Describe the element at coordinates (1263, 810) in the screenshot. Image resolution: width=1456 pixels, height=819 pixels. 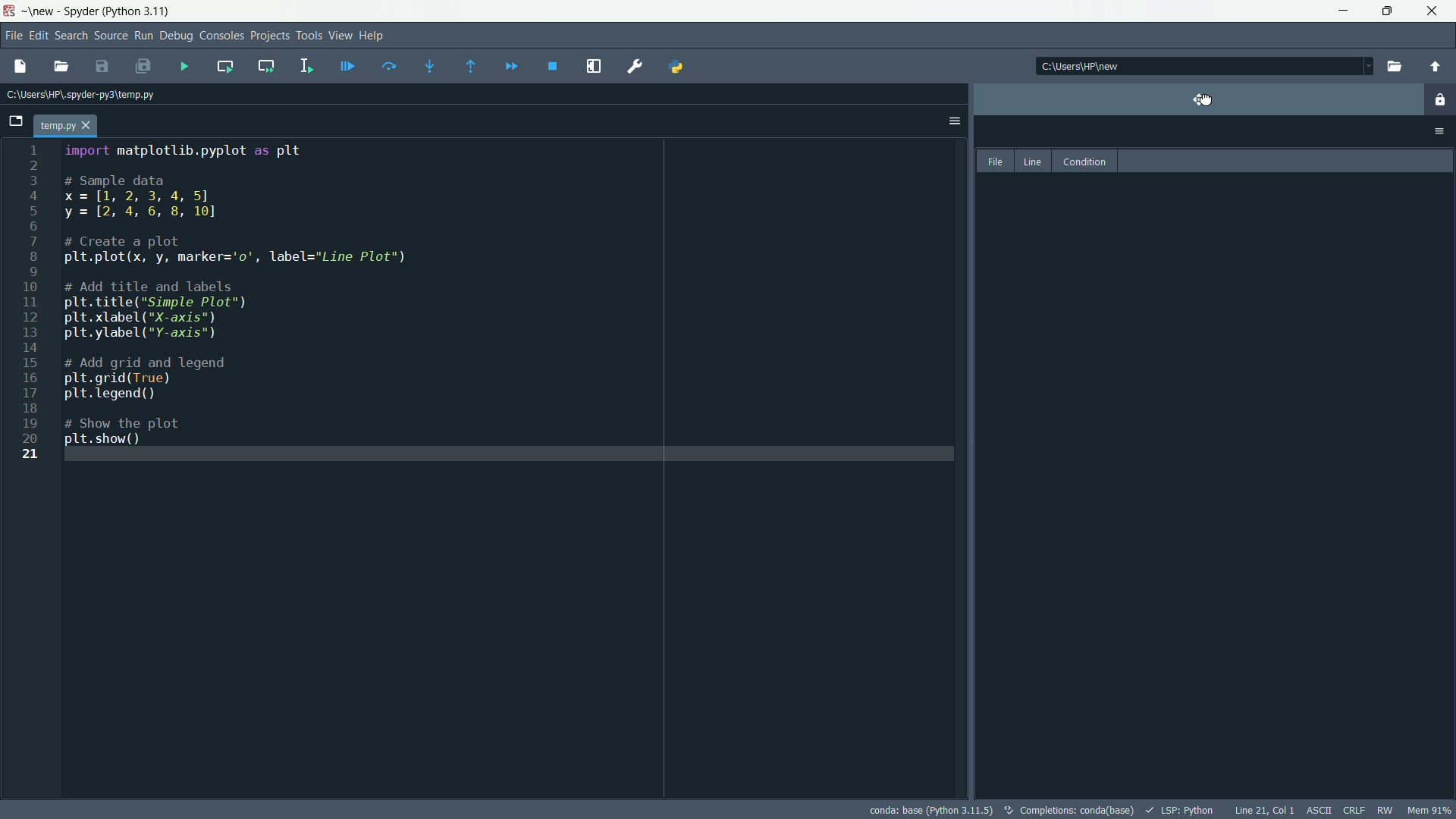
I see `line 21, Col 1` at that location.